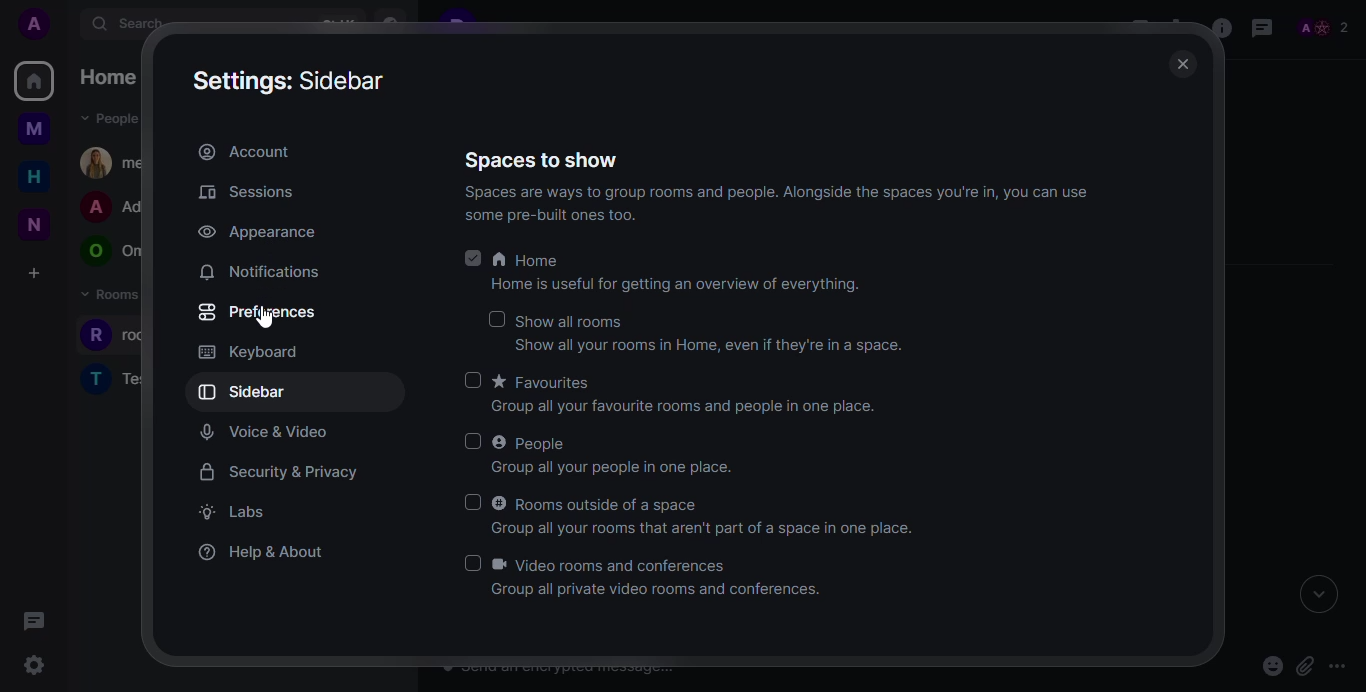 The width and height of the screenshot is (1366, 692). I want to click on selection box, so click(471, 561).